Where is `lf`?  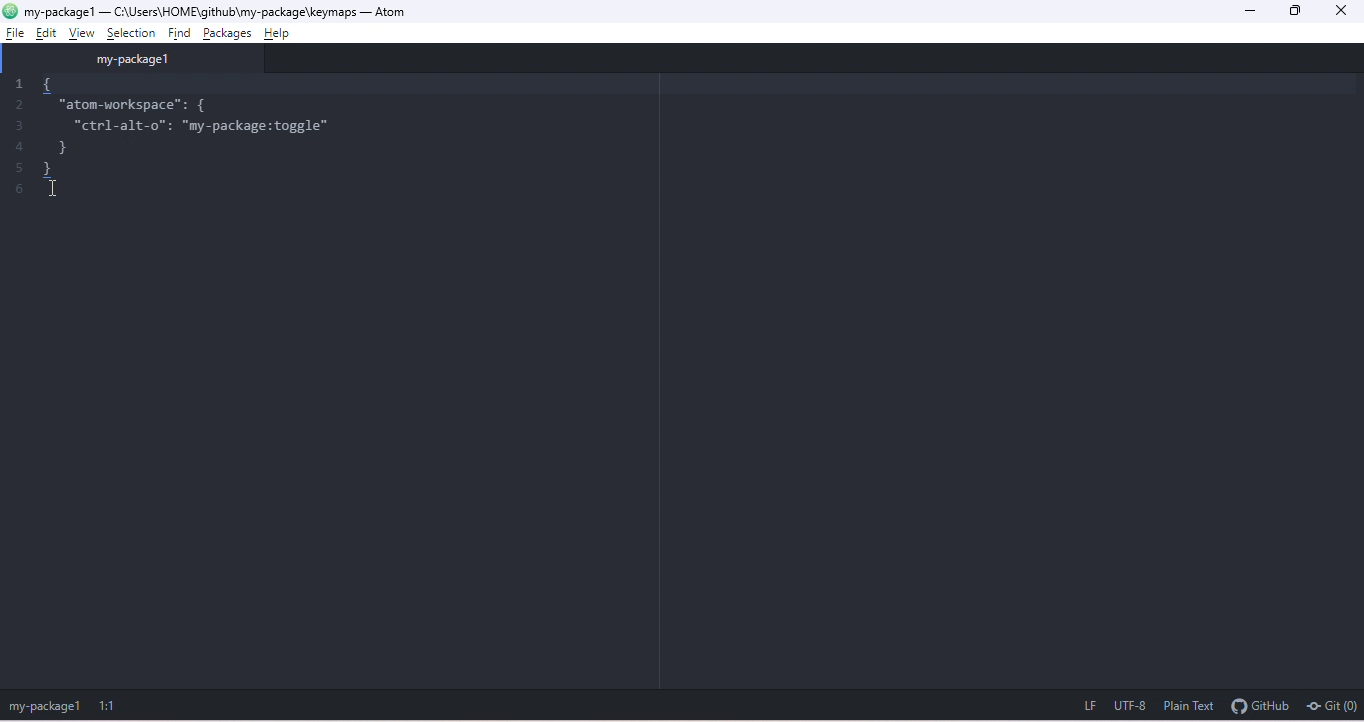
lf is located at coordinates (1087, 704).